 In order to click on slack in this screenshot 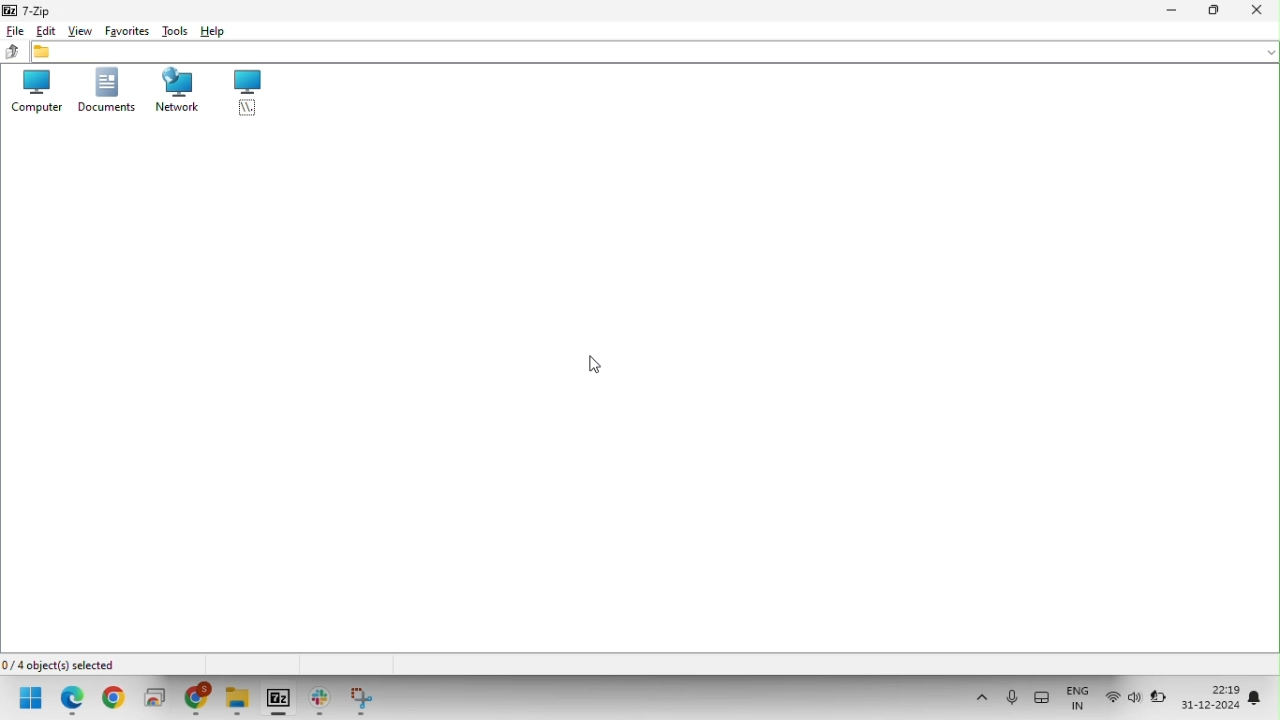, I will do `click(317, 701)`.